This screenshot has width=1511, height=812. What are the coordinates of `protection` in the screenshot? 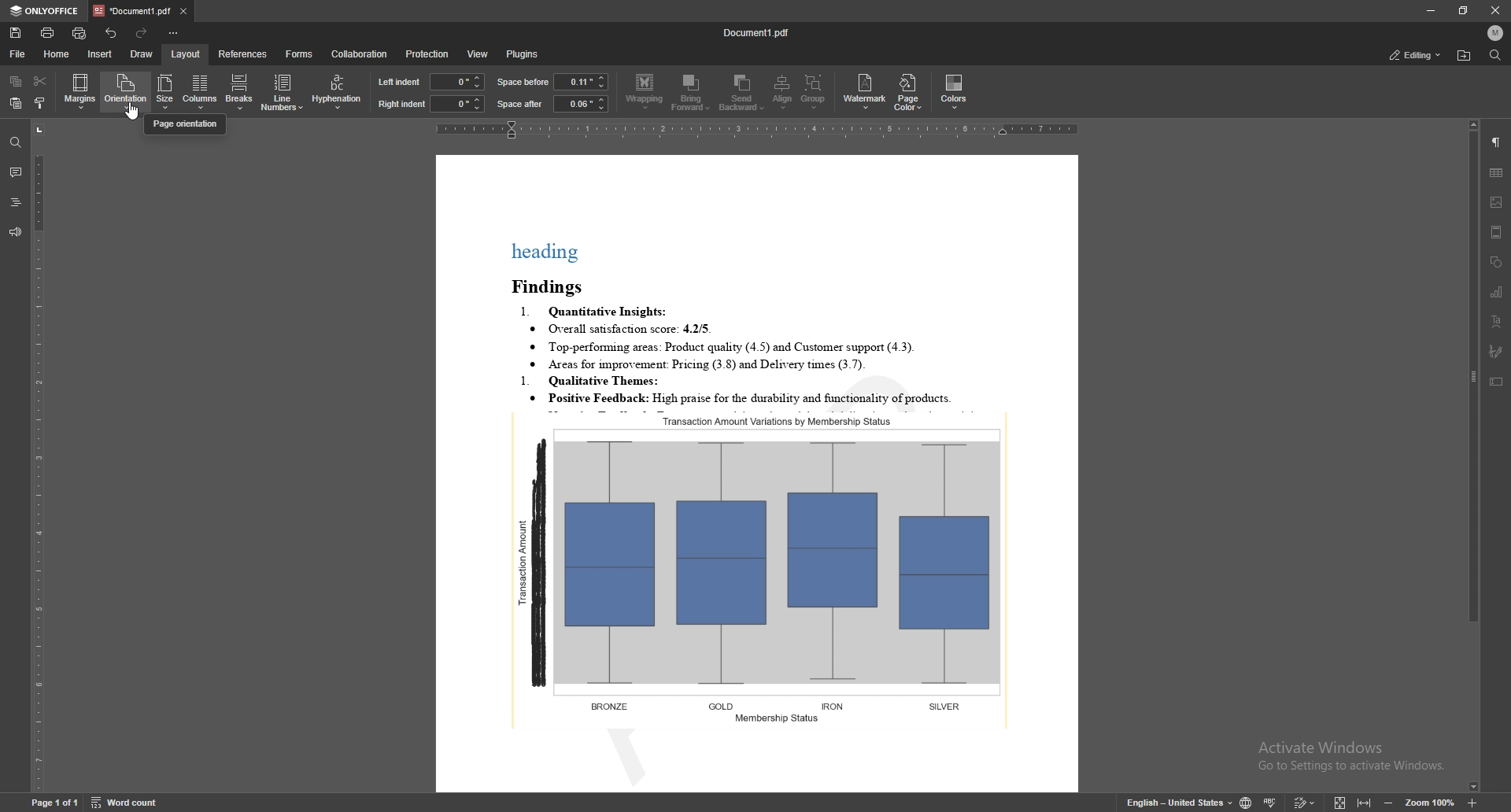 It's located at (429, 54).